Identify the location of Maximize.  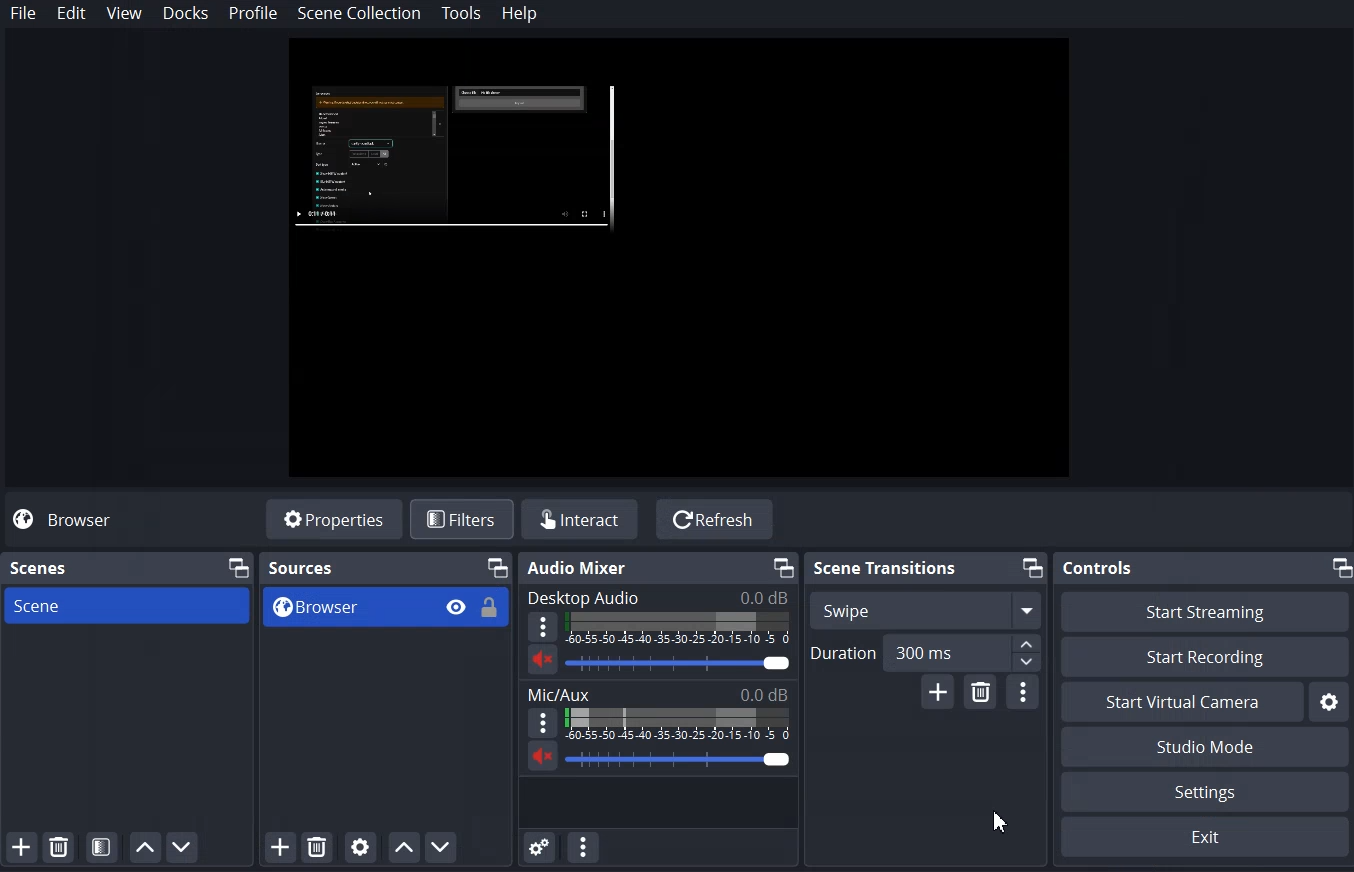
(239, 567).